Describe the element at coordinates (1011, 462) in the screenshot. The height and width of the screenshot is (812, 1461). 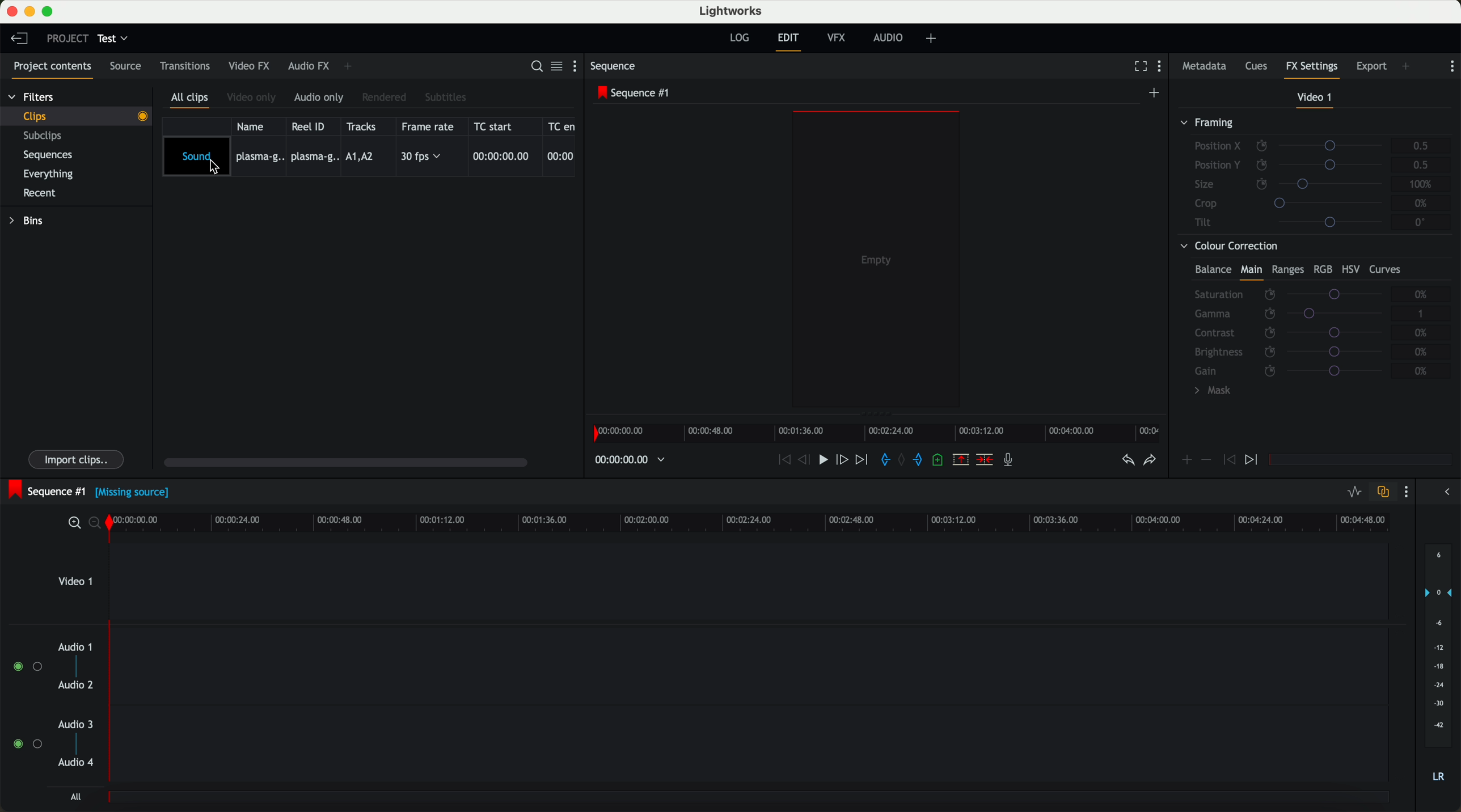
I see `record a voice over` at that location.